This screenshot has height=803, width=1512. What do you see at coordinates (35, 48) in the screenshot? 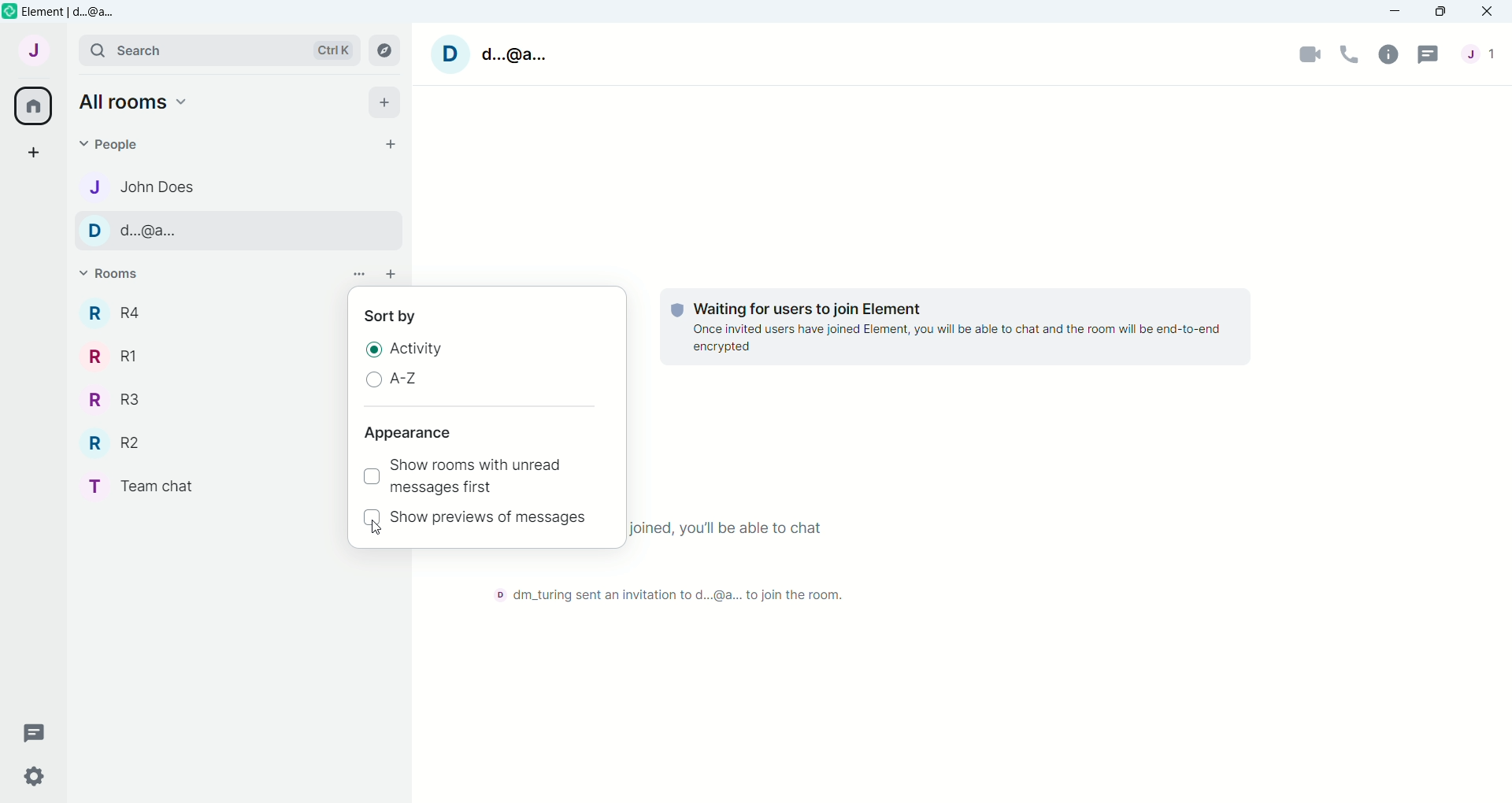
I see `User menu` at bounding box center [35, 48].